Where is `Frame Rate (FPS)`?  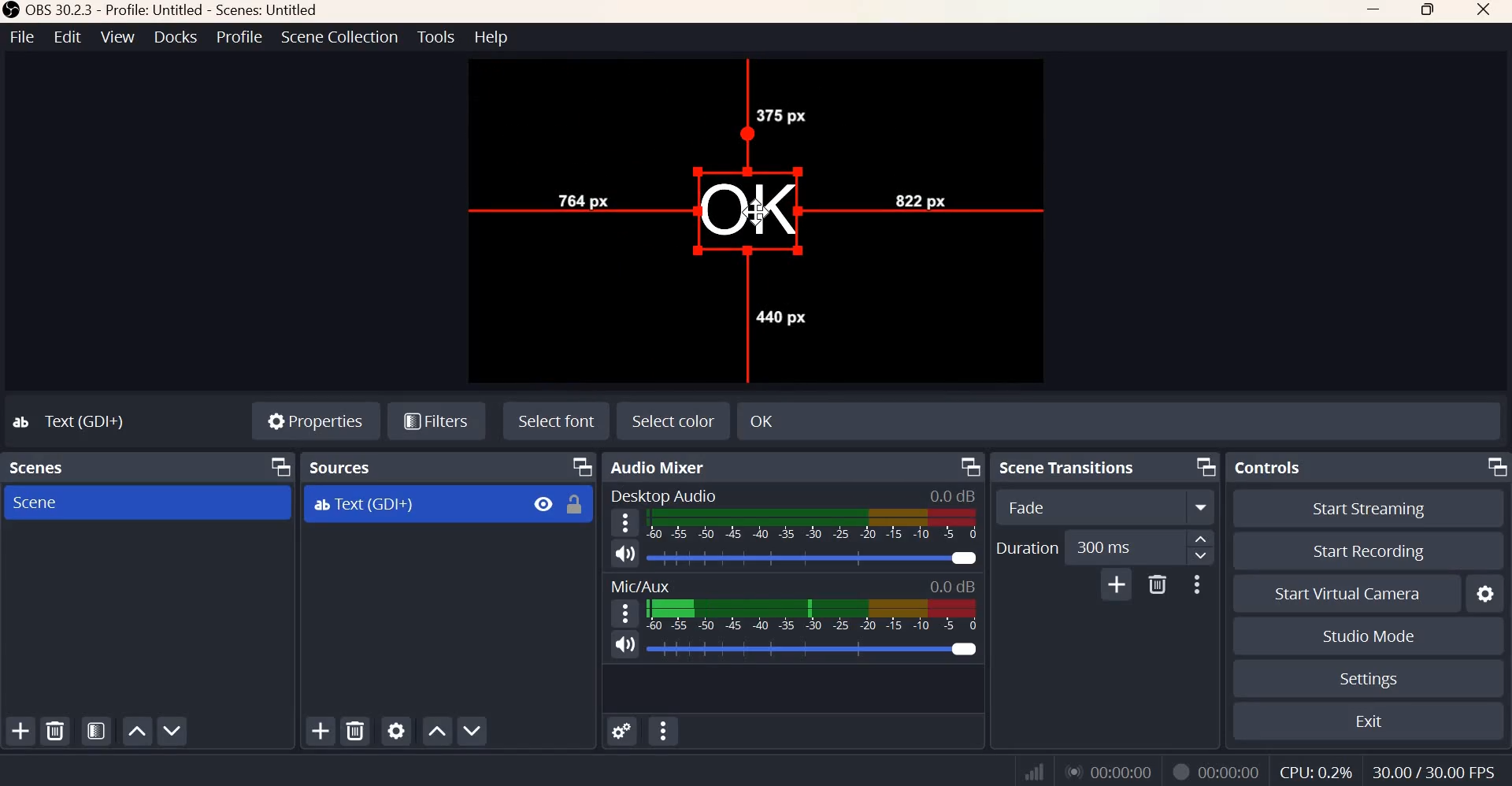
Frame Rate (FPS) is located at coordinates (1434, 772).